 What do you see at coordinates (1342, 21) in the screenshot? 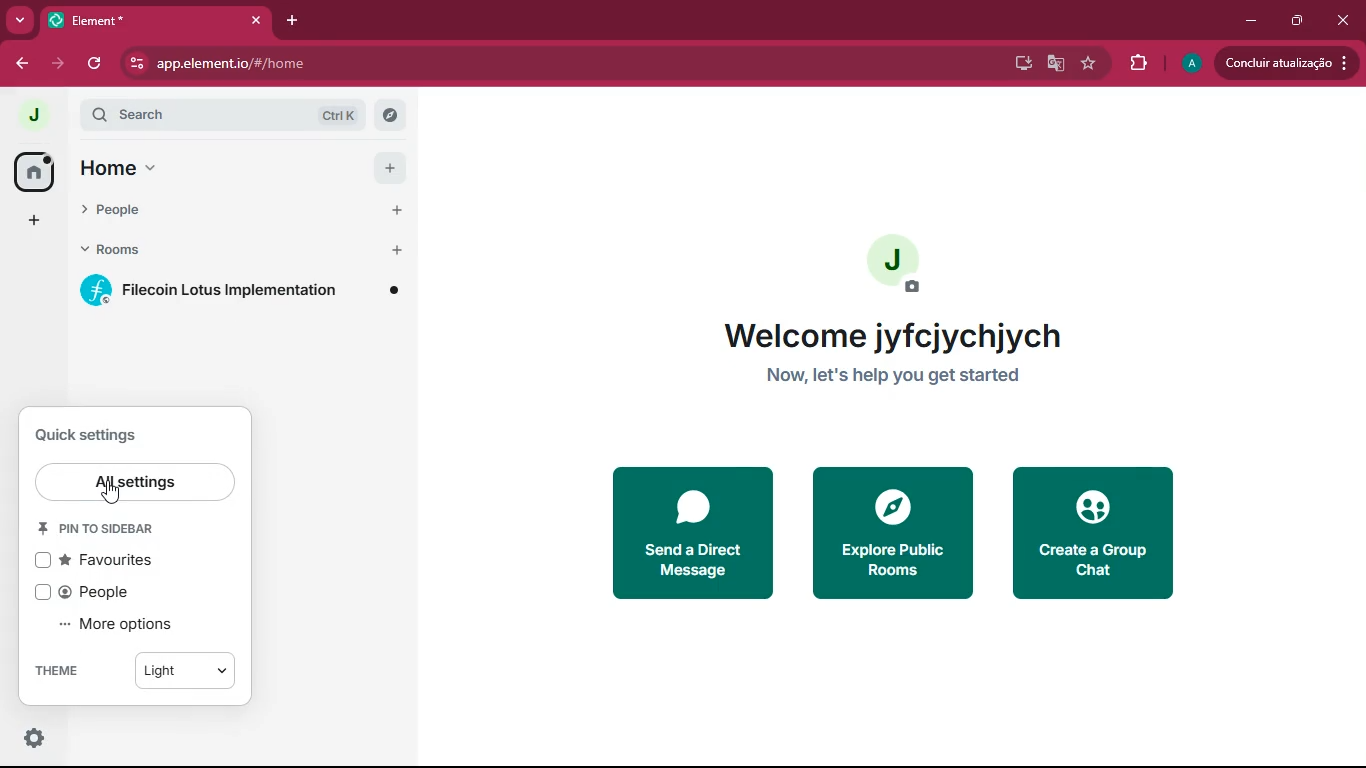
I see `close` at bounding box center [1342, 21].